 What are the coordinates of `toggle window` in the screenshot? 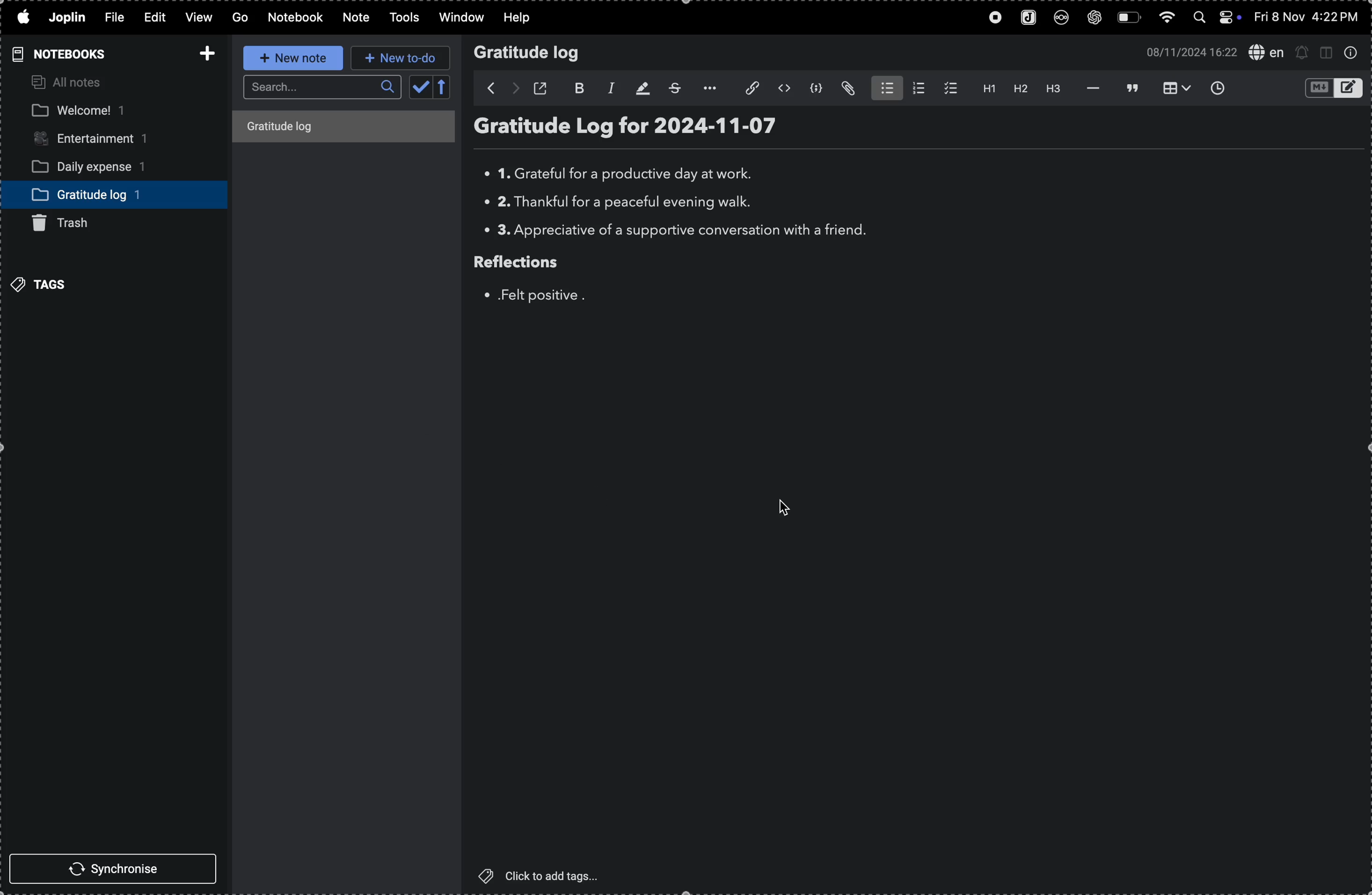 It's located at (1325, 54).